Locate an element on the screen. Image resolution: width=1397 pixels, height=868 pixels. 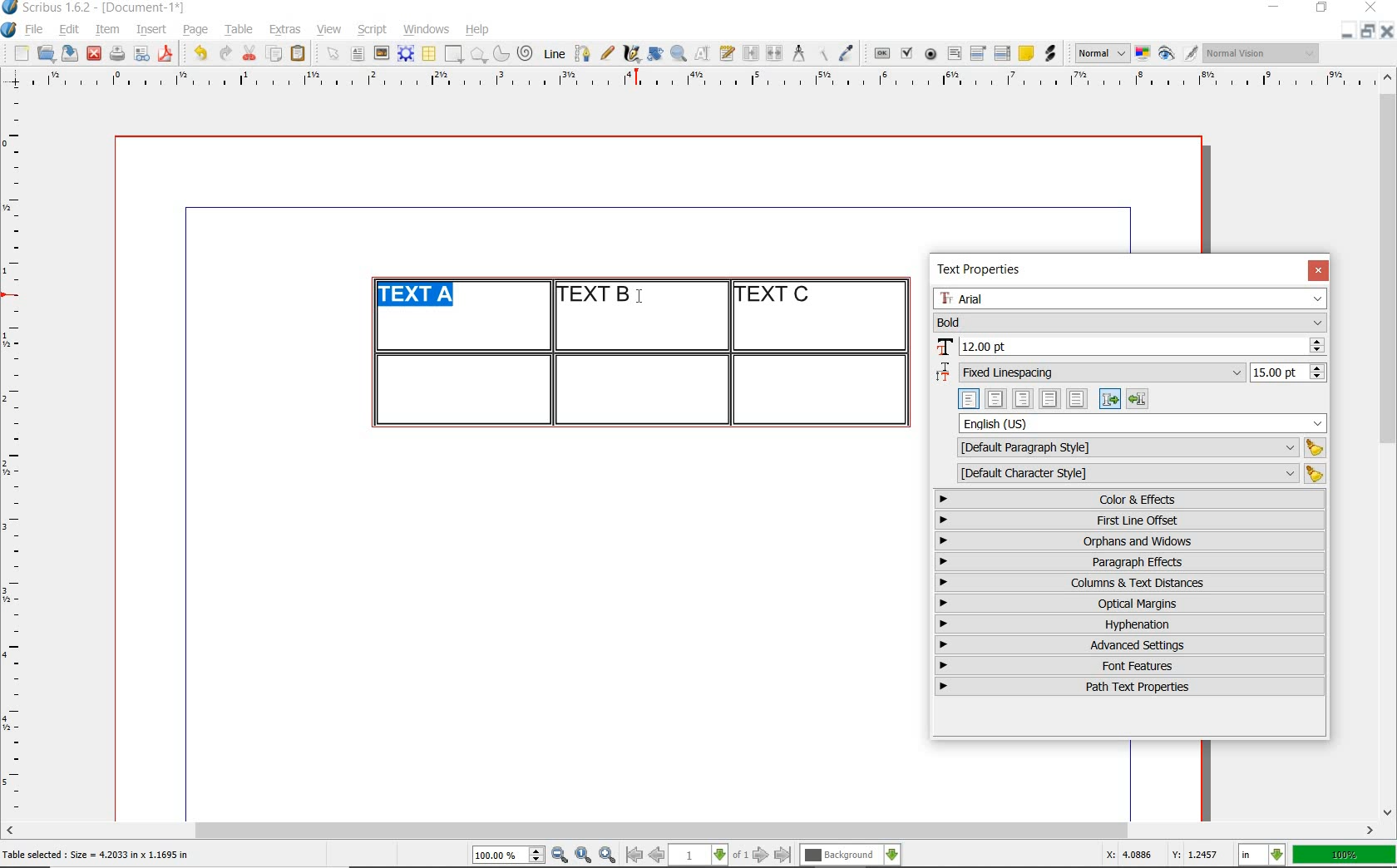
fixed linespacing is located at coordinates (1131, 373).